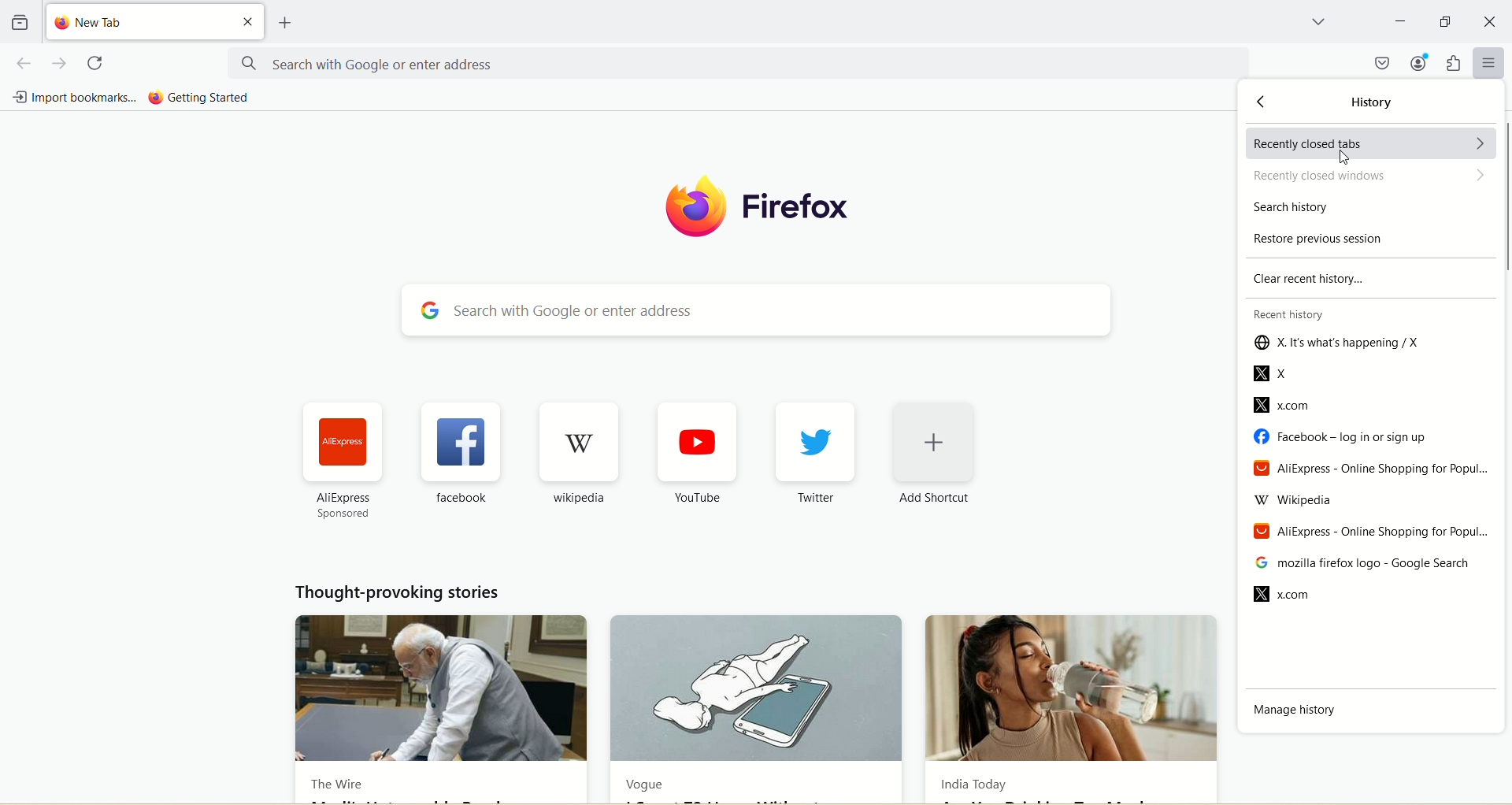 This screenshot has height=805, width=1512. I want to click on X, so click(1372, 374).